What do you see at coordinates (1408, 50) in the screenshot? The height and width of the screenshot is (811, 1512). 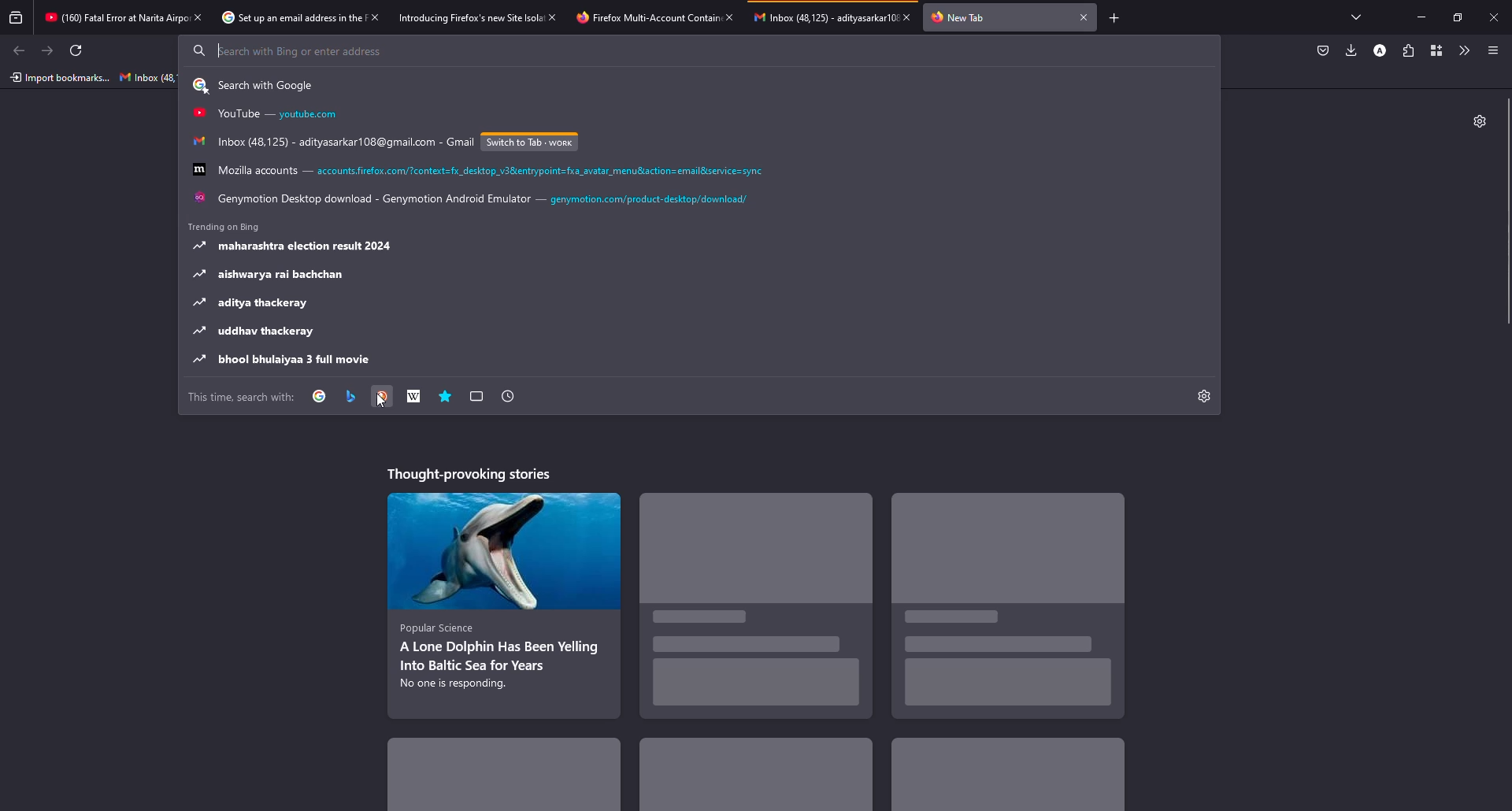 I see `extensions` at bounding box center [1408, 50].